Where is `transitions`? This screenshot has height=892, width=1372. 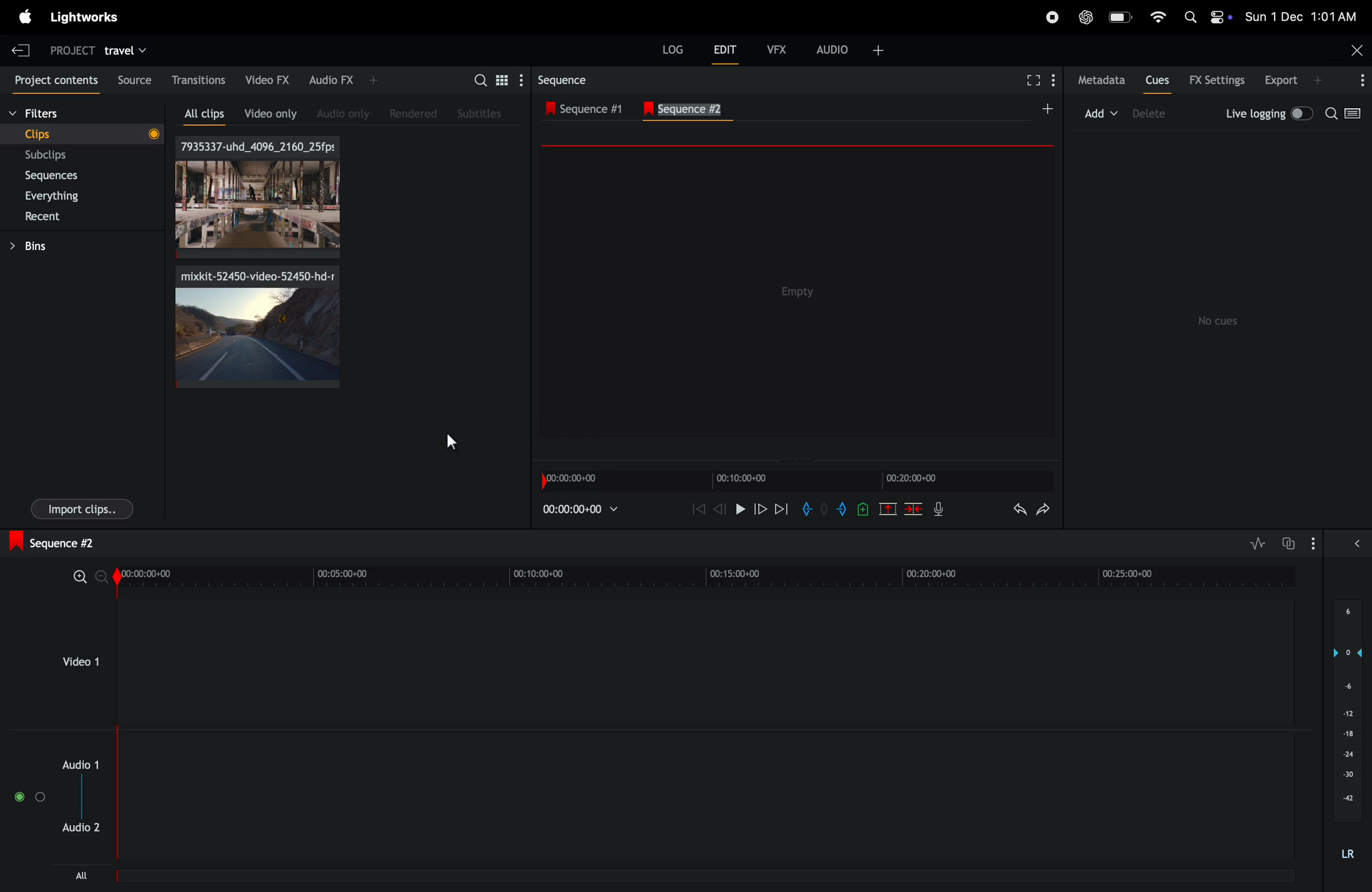
transitions is located at coordinates (200, 78).